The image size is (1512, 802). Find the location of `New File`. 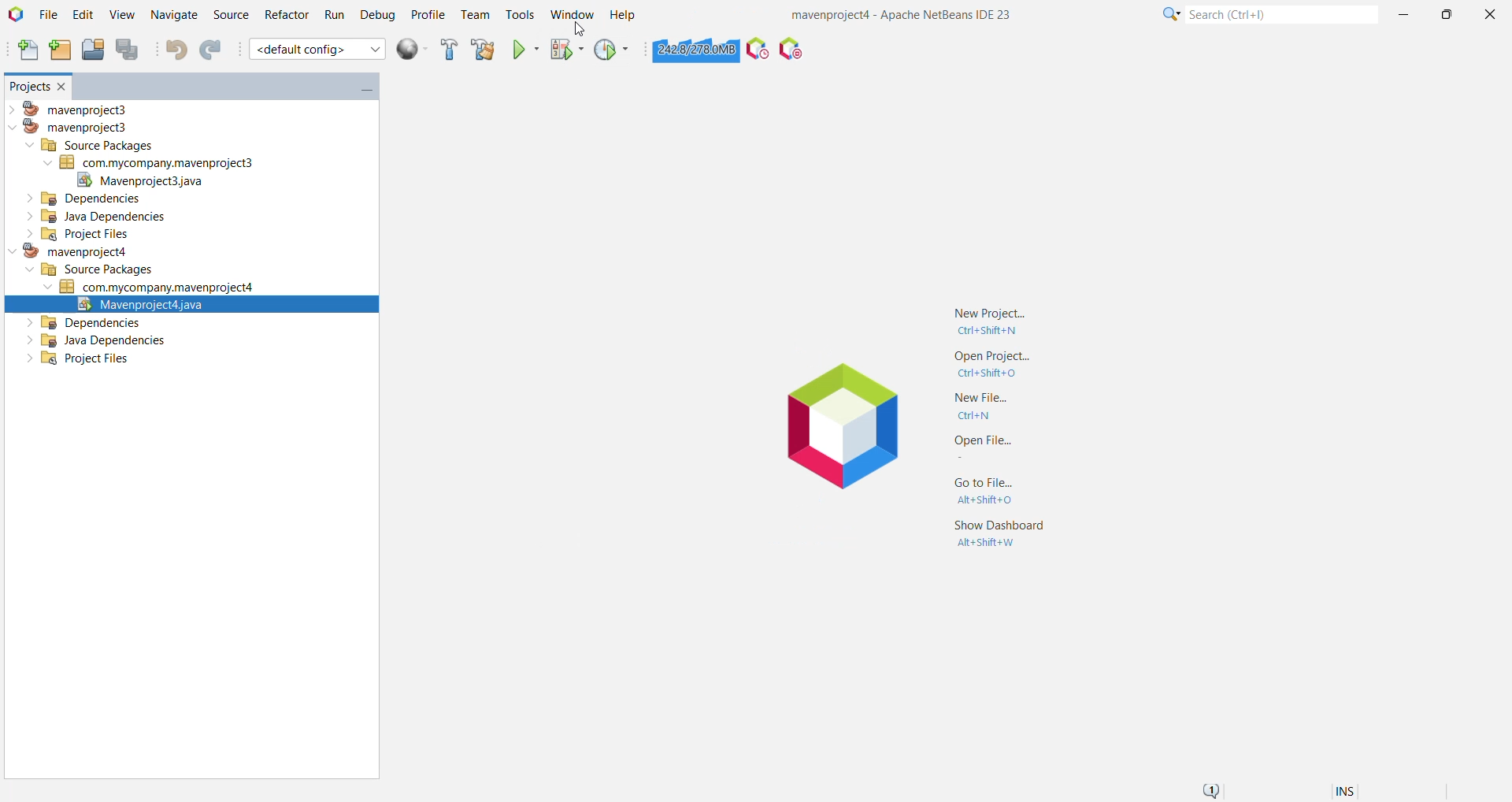

New File is located at coordinates (984, 409).